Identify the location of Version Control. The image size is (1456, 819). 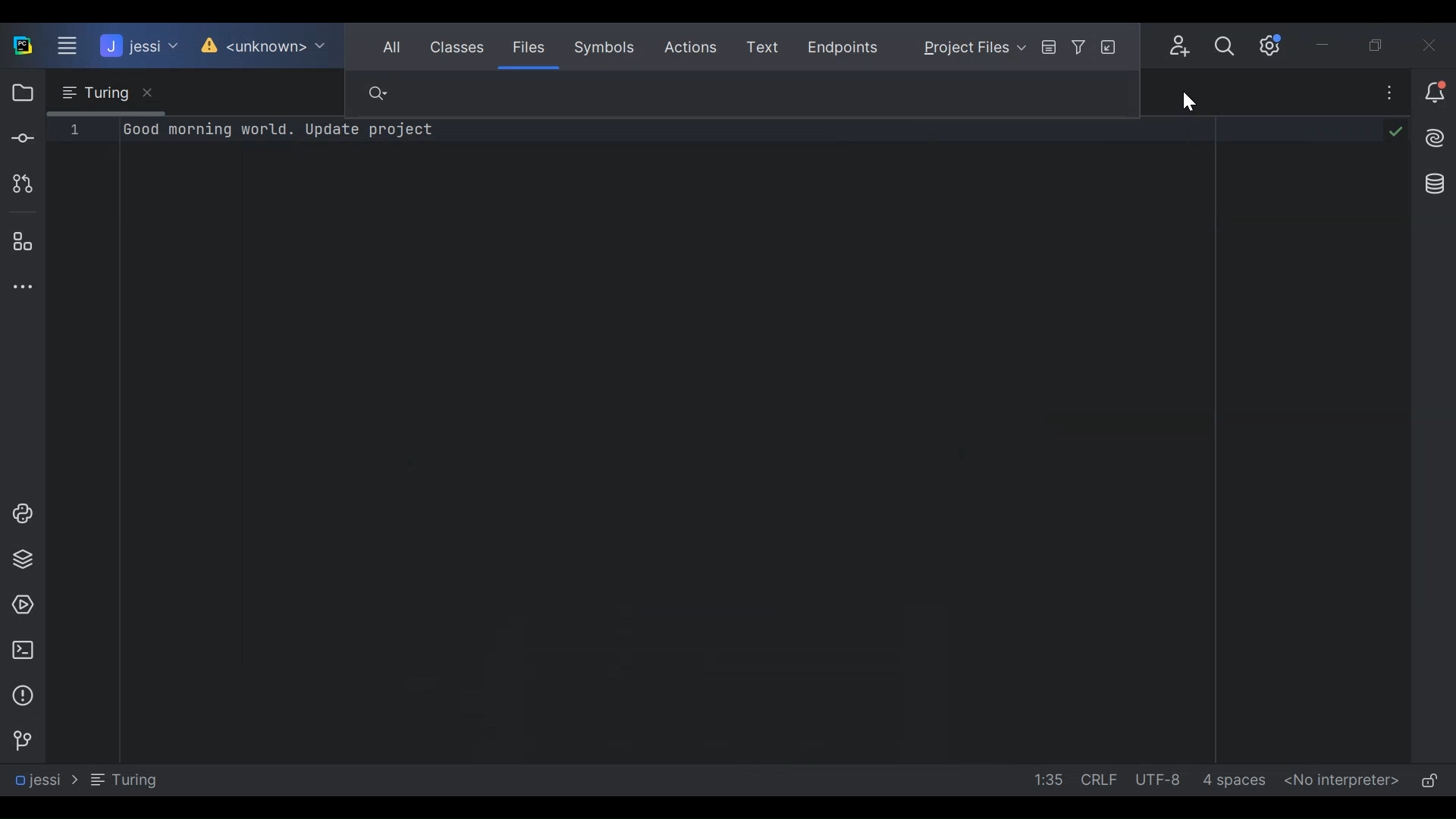
(20, 741).